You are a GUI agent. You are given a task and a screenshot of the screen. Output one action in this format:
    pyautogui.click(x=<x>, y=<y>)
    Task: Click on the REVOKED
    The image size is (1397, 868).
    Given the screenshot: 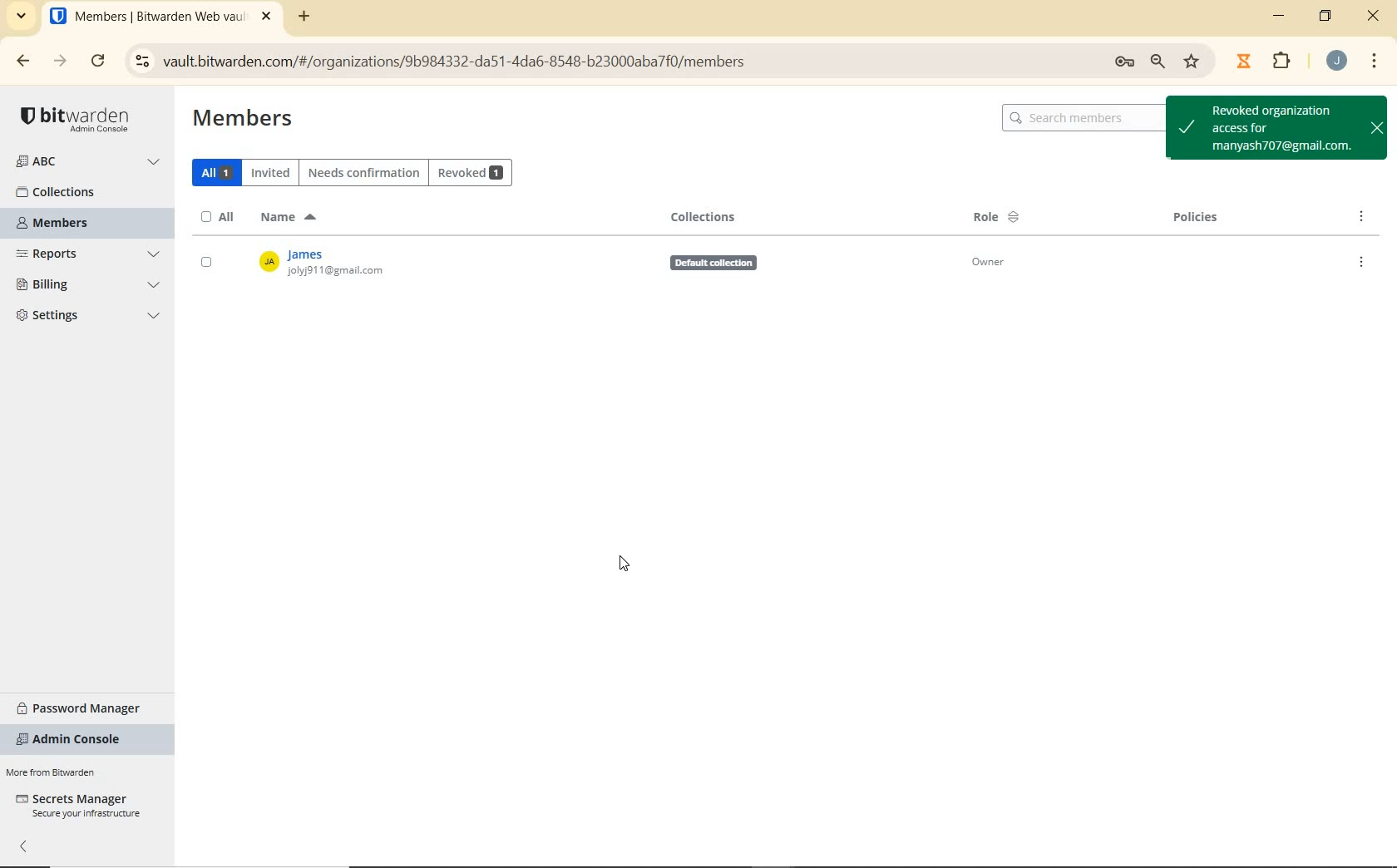 What is the action you would take?
    pyautogui.click(x=471, y=174)
    